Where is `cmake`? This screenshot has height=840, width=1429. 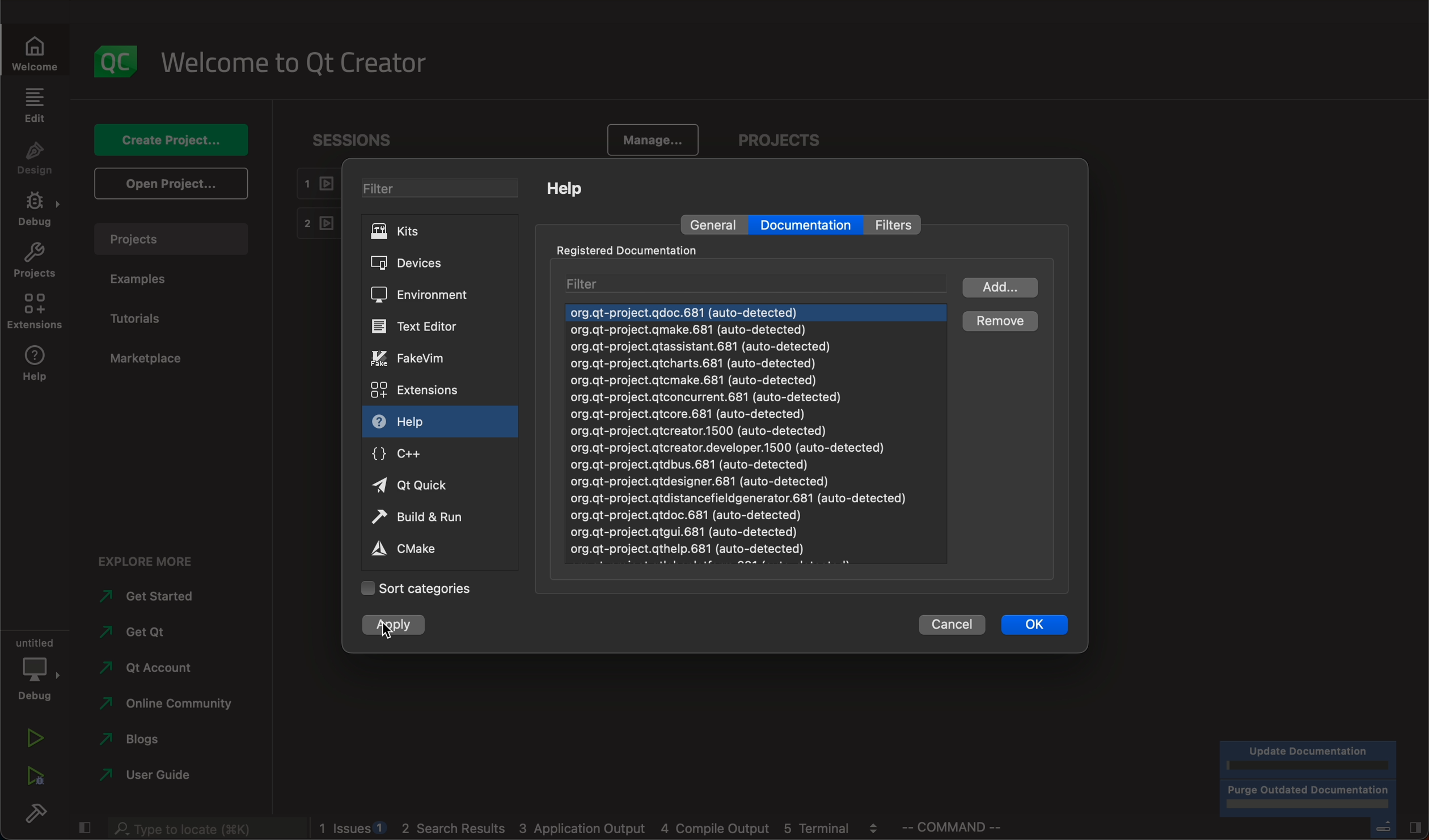 cmake is located at coordinates (418, 549).